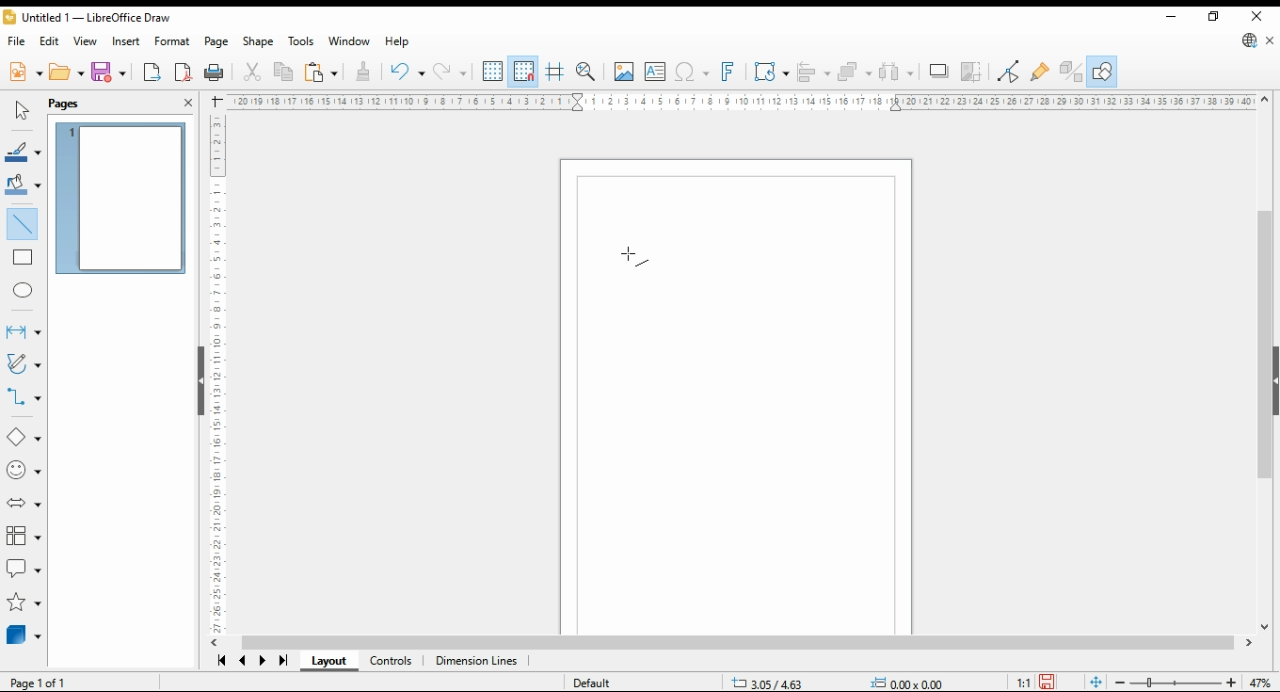 This screenshot has height=692, width=1280. What do you see at coordinates (741, 101) in the screenshot?
I see `horizontal scale` at bounding box center [741, 101].